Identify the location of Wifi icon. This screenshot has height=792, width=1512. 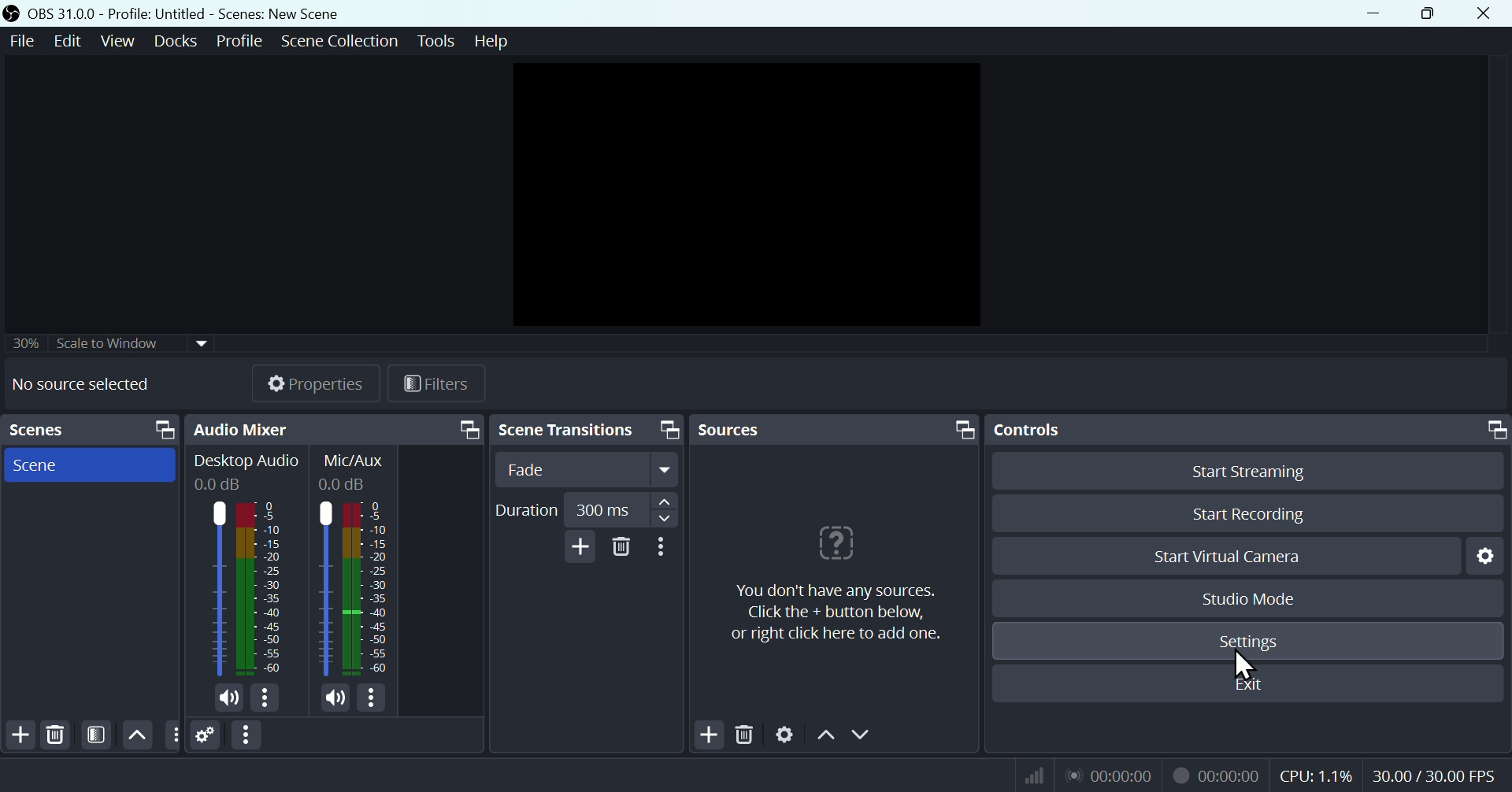
(1037, 775).